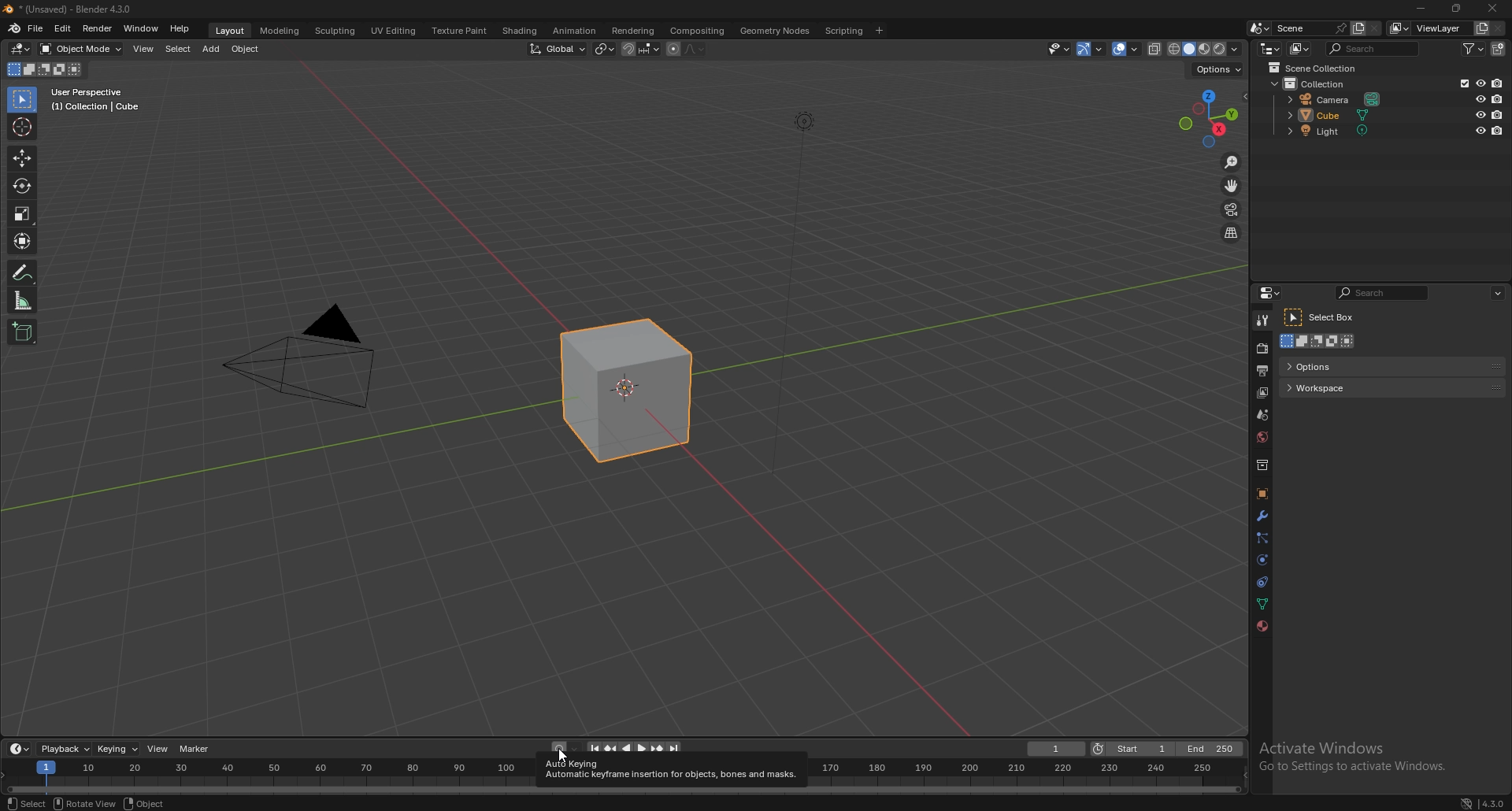  Describe the element at coordinates (1258, 28) in the screenshot. I see `browse scene` at that location.